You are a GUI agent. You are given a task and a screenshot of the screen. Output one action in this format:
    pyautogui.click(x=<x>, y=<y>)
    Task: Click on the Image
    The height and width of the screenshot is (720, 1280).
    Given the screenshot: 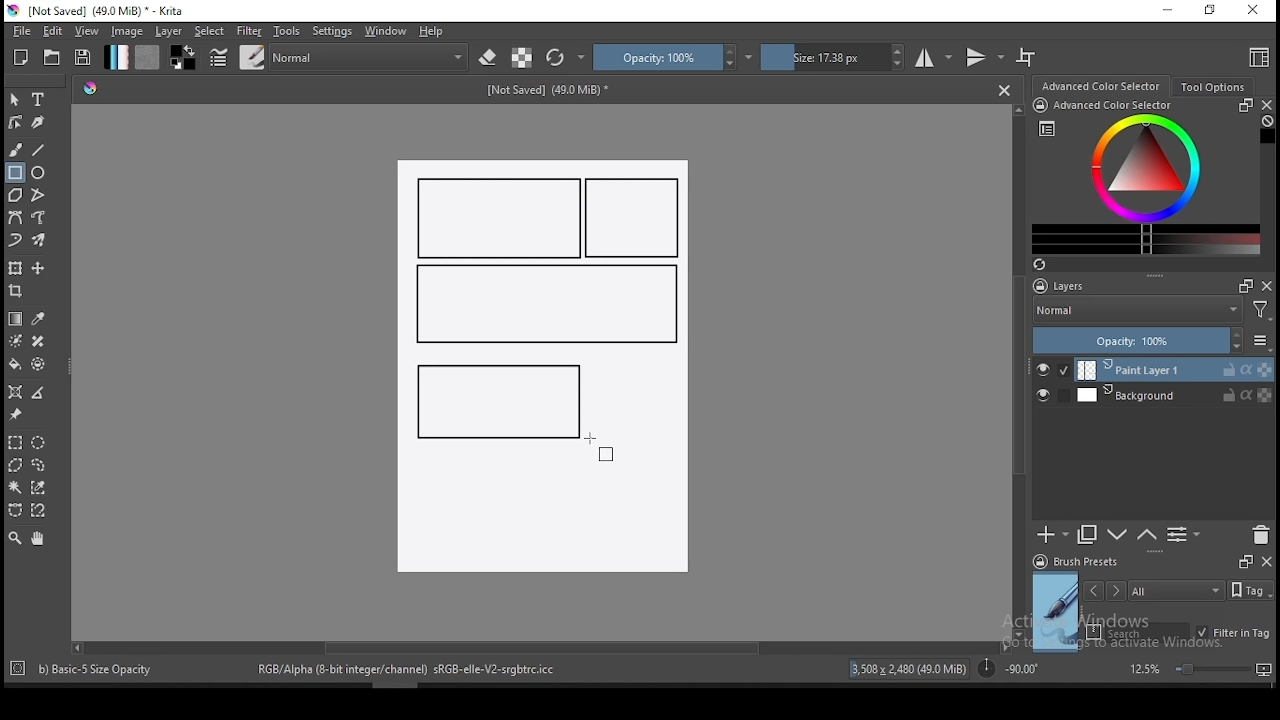 What is the action you would take?
    pyautogui.click(x=541, y=515)
    